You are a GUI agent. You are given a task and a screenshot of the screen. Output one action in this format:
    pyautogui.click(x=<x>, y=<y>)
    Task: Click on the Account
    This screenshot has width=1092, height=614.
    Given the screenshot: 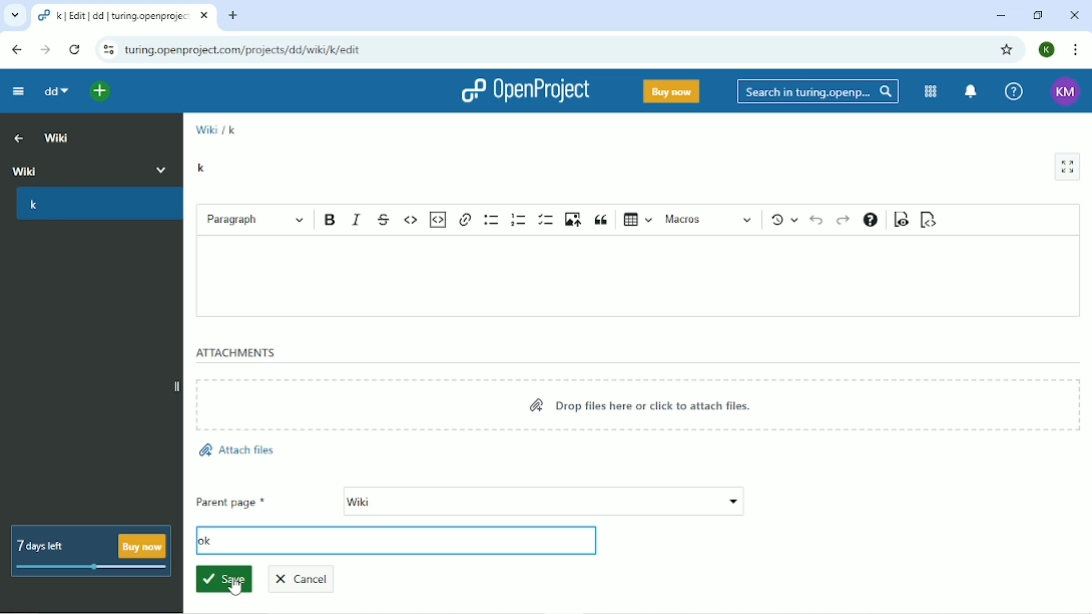 What is the action you would take?
    pyautogui.click(x=1063, y=90)
    